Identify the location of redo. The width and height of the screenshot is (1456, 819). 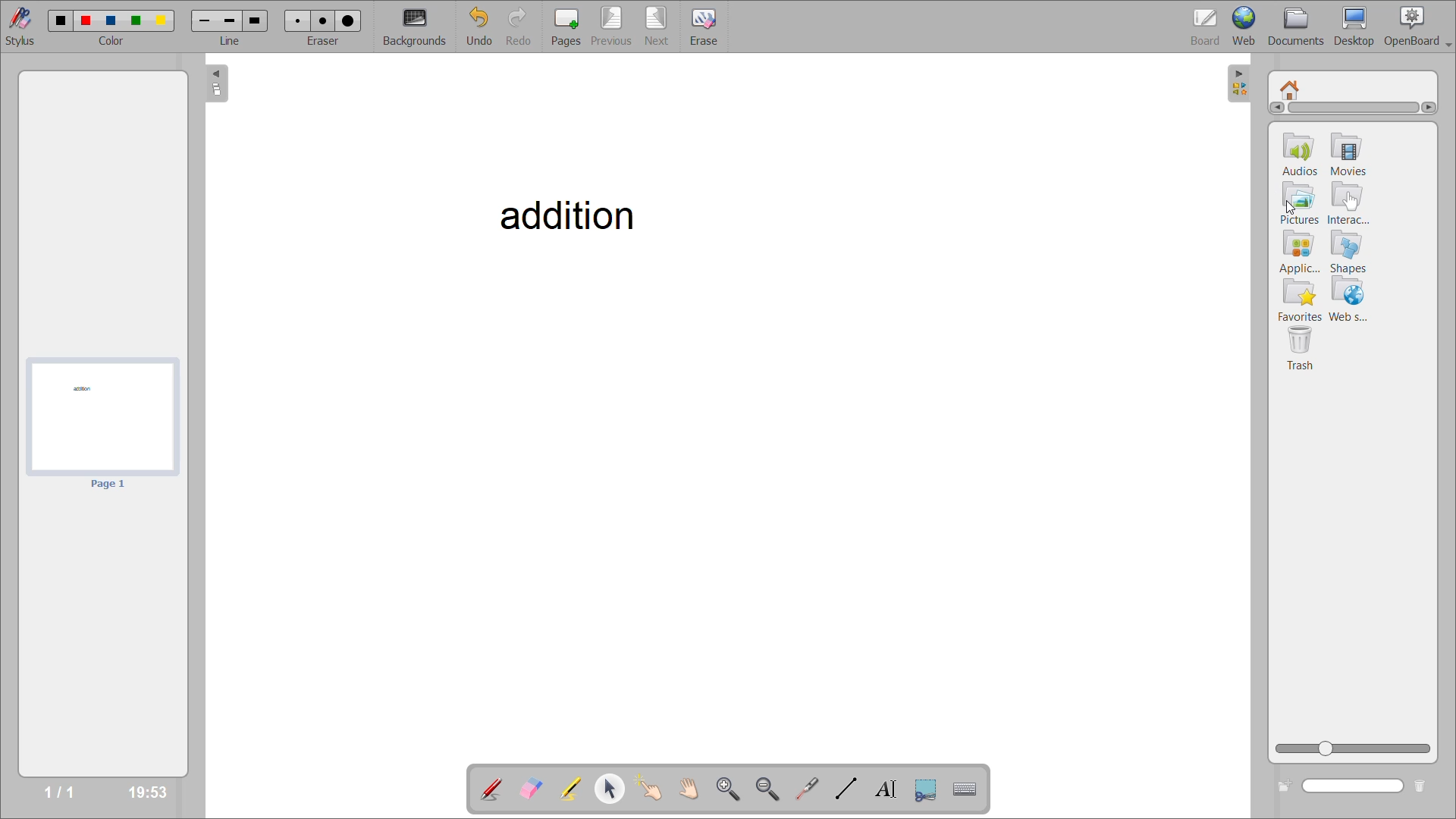
(523, 27).